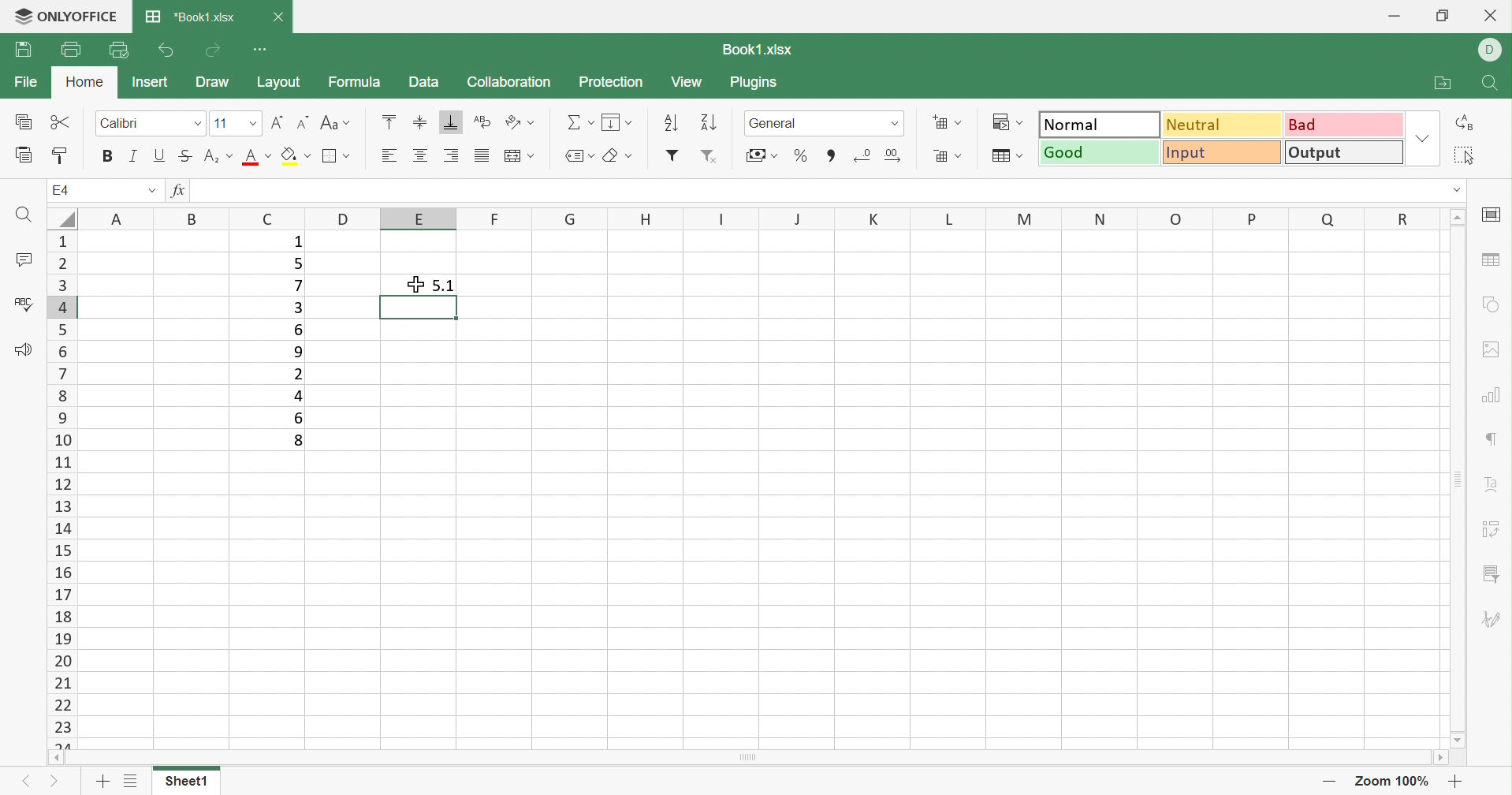  What do you see at coordinates (482, 122) in the screenshot?
I see `Wrap Text` at bounding box center [482, 122].